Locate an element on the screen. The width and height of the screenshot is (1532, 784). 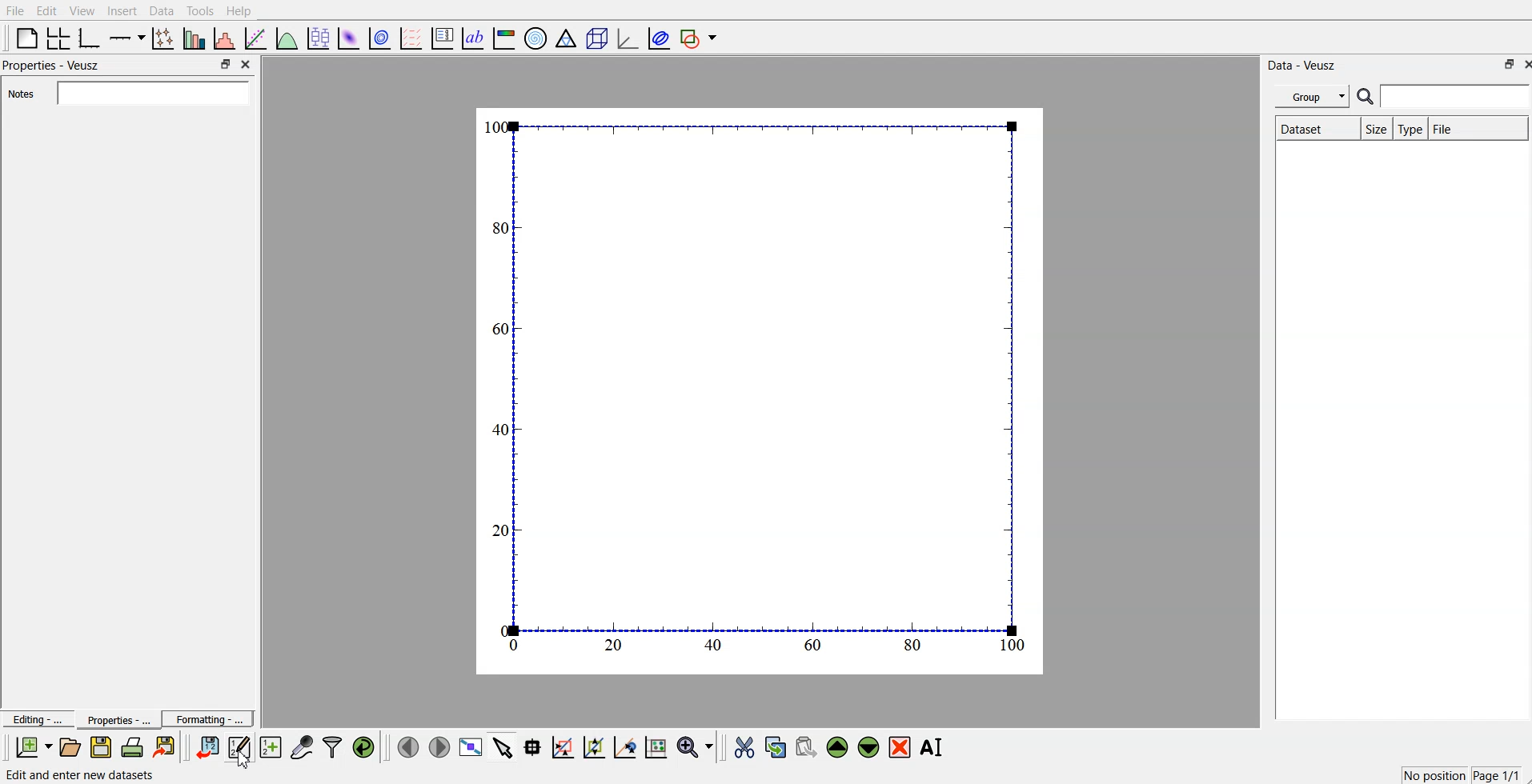
base graph is located at coordinates (90, 37).